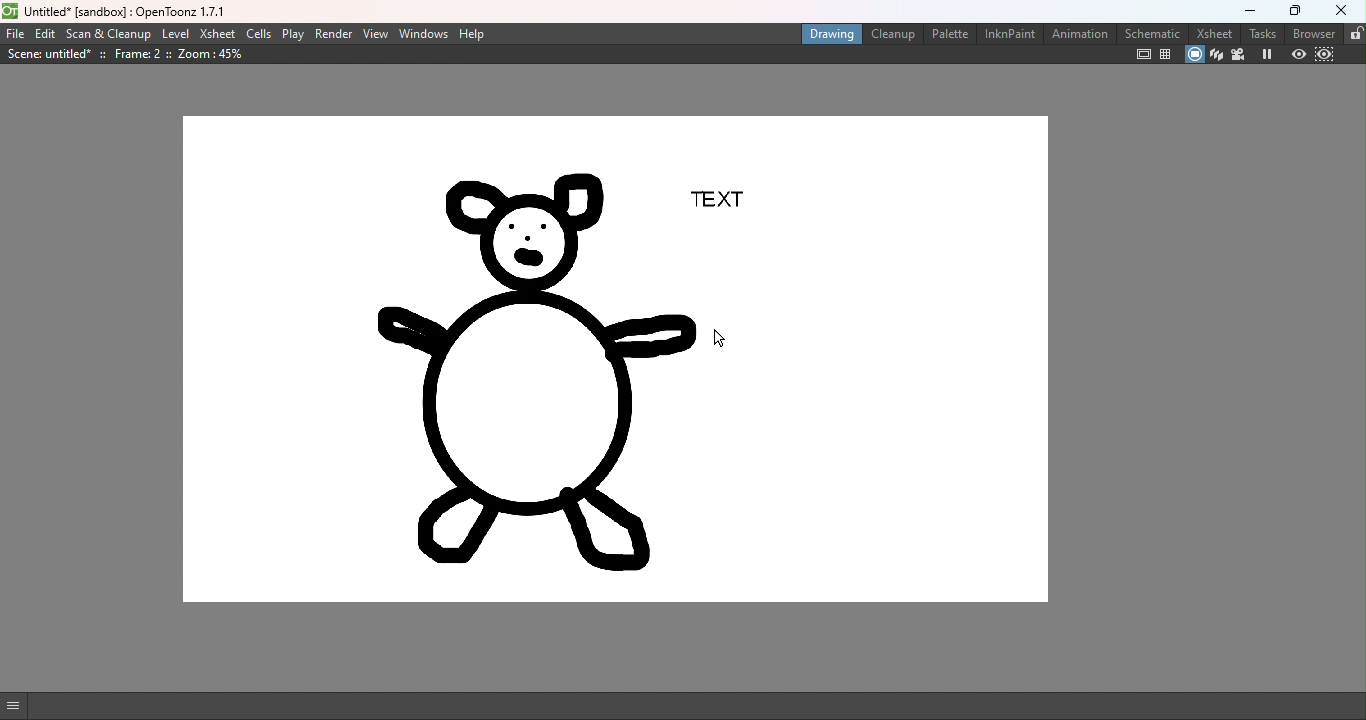 The height and width of the screenshot is (720, 1366). What do you see at coordinates (127, 11) in the screenshot?
I see `Untitled" [sandbox] : OpenToonz 1.7.1` at bounding box center [127, 11].